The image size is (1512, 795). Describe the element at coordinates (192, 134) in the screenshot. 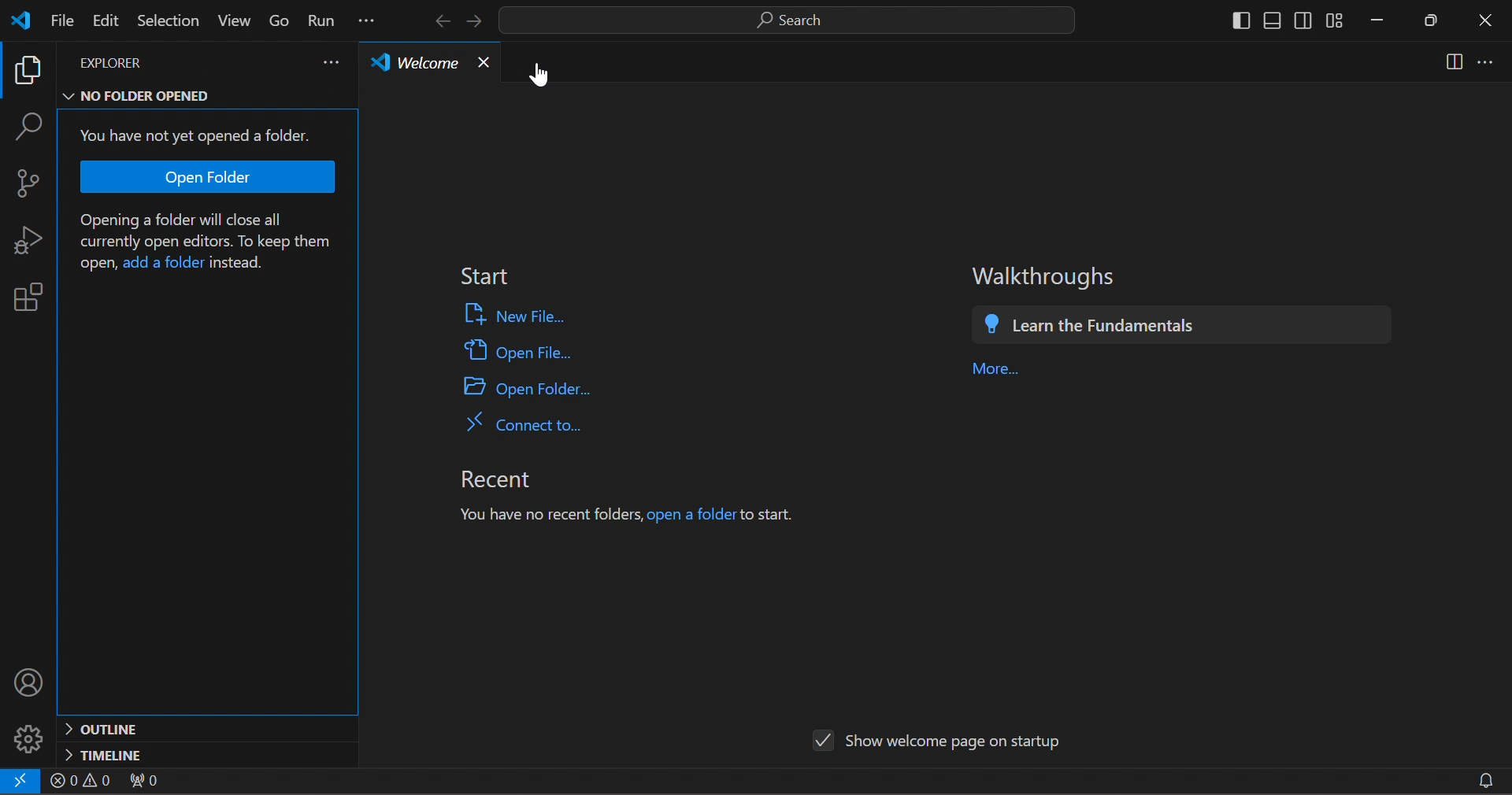

I see `you have not yet opened a folder` at that location.